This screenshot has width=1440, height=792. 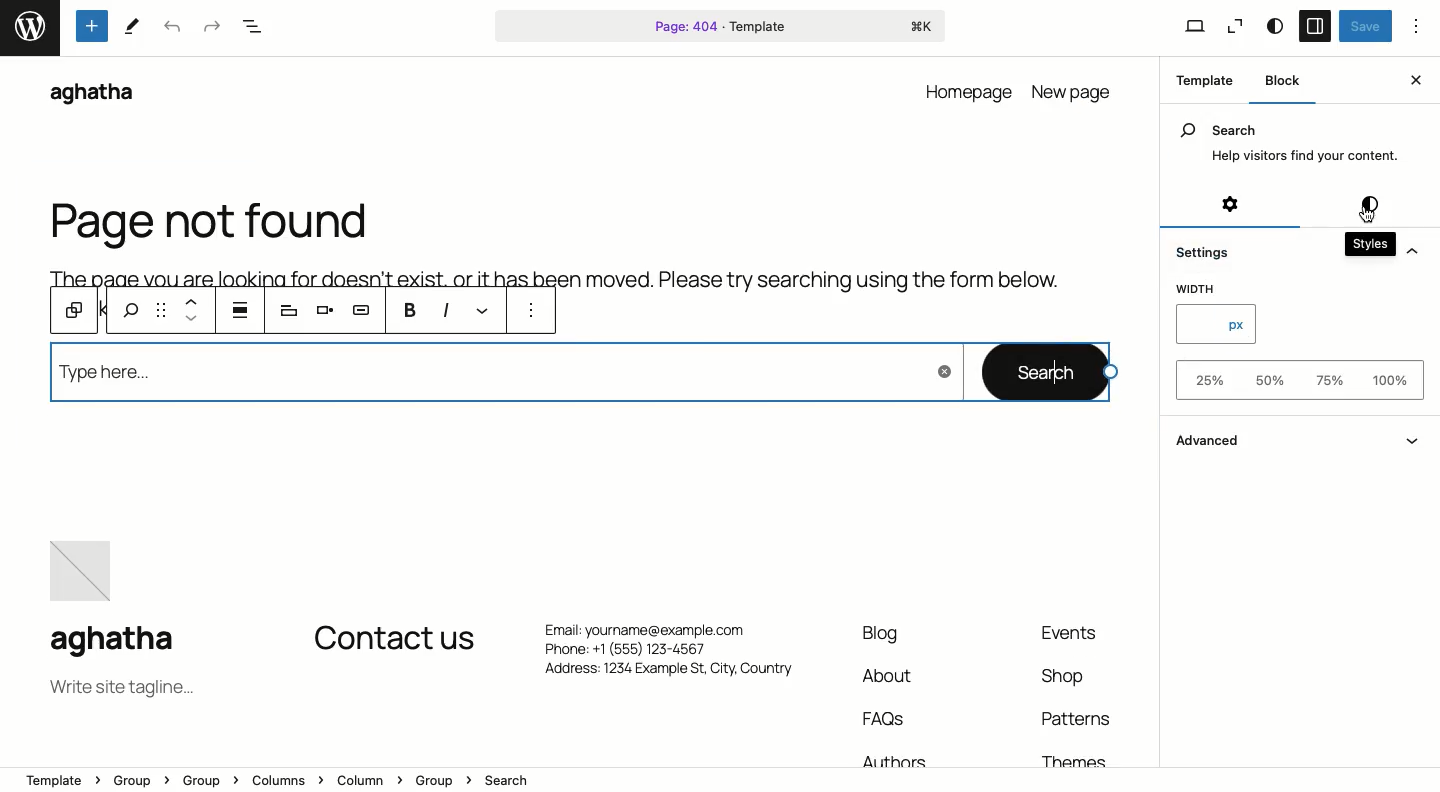 What do you see at coordinates (209, 223) in the screenshot?
I see `Page not found` at bounding box center [209, 223].